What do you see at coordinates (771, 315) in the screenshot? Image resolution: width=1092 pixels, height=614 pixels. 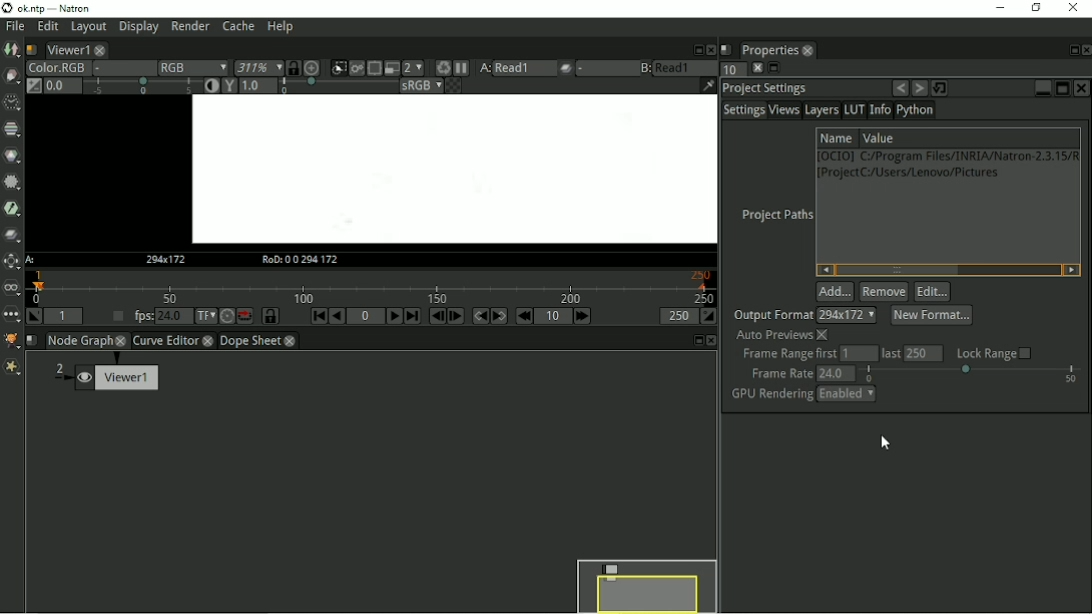 I see `Output Format` at bounding box center [771, 315].